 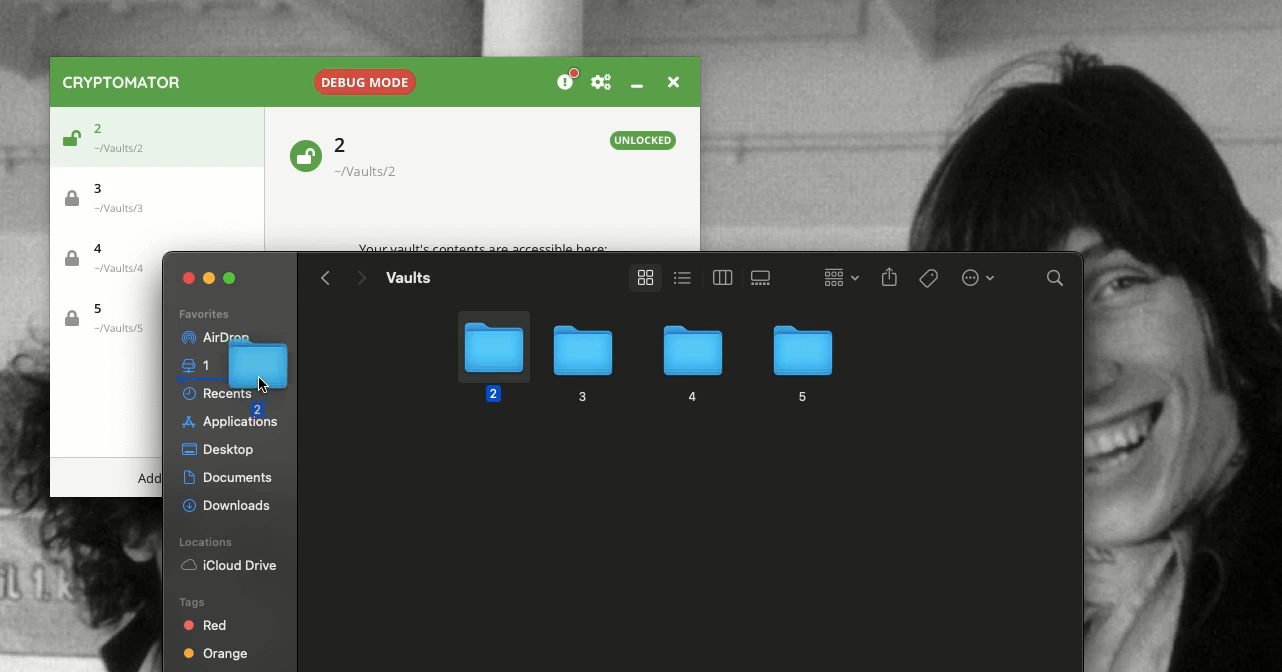 I want to click on Locations, so click(x=209, y=542).